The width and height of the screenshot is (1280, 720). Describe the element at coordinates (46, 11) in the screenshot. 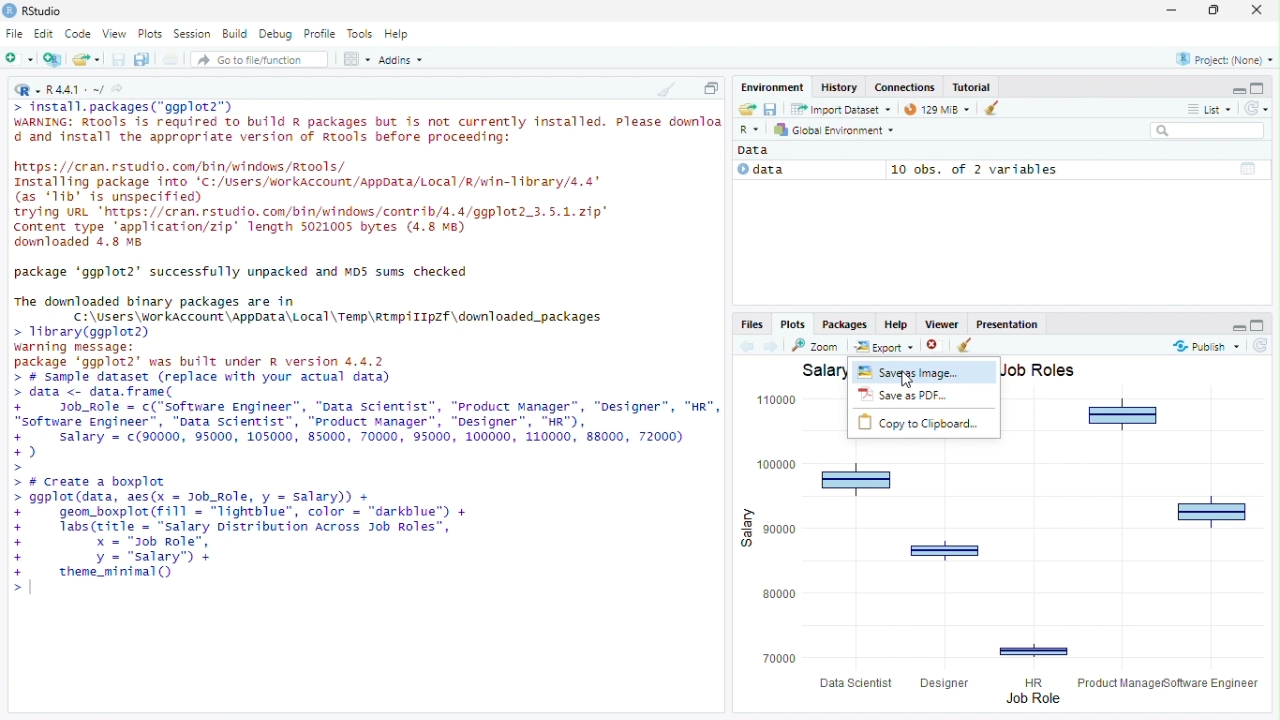

I see `RStudio` at that location.